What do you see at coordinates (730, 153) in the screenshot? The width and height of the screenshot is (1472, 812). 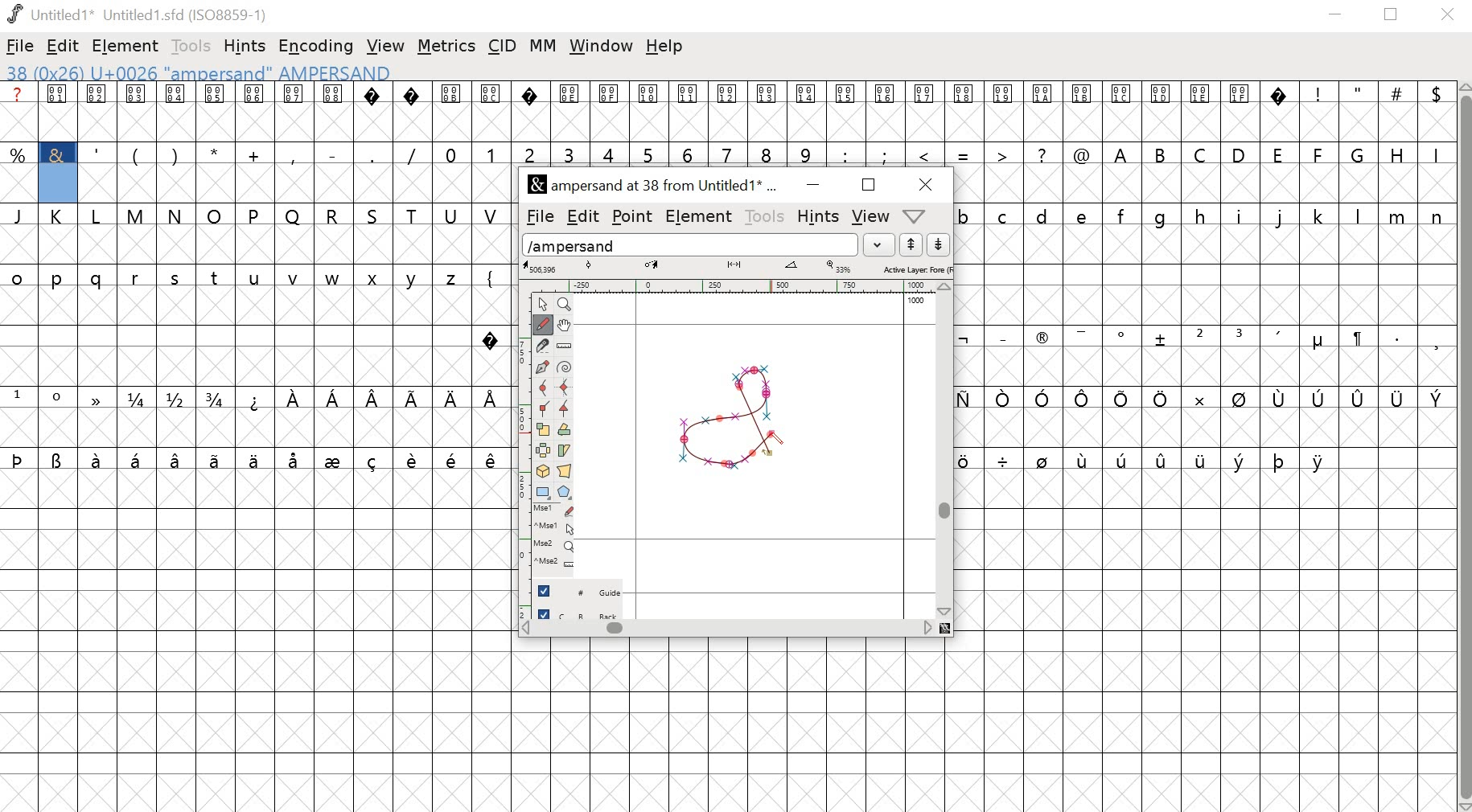 I see `7` at bounding box center [730, 153].